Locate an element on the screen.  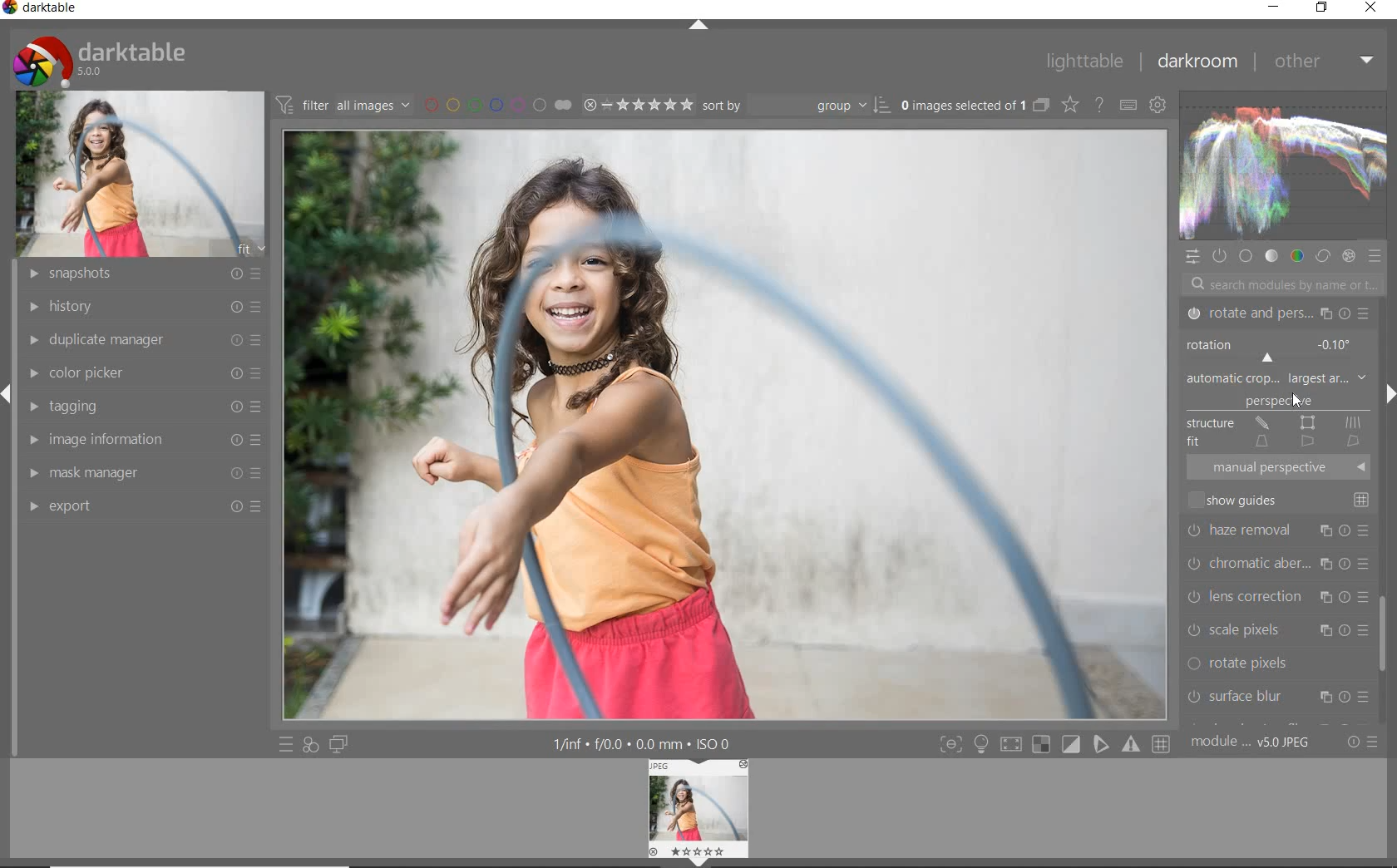
snapshots is located at coordinates (141, 275).